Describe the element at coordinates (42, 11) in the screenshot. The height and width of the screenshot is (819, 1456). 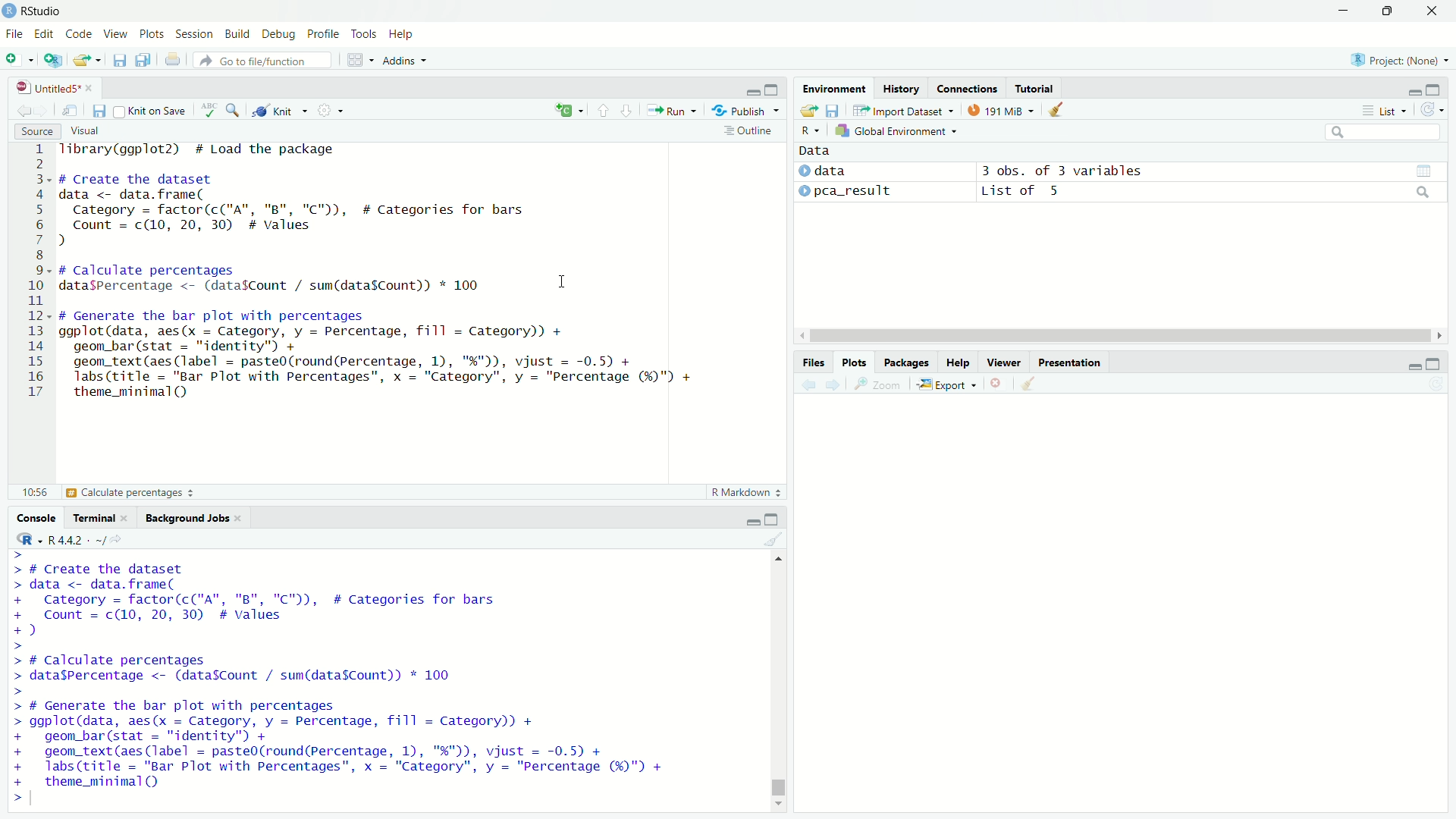
I see `Rstudio` at that location.